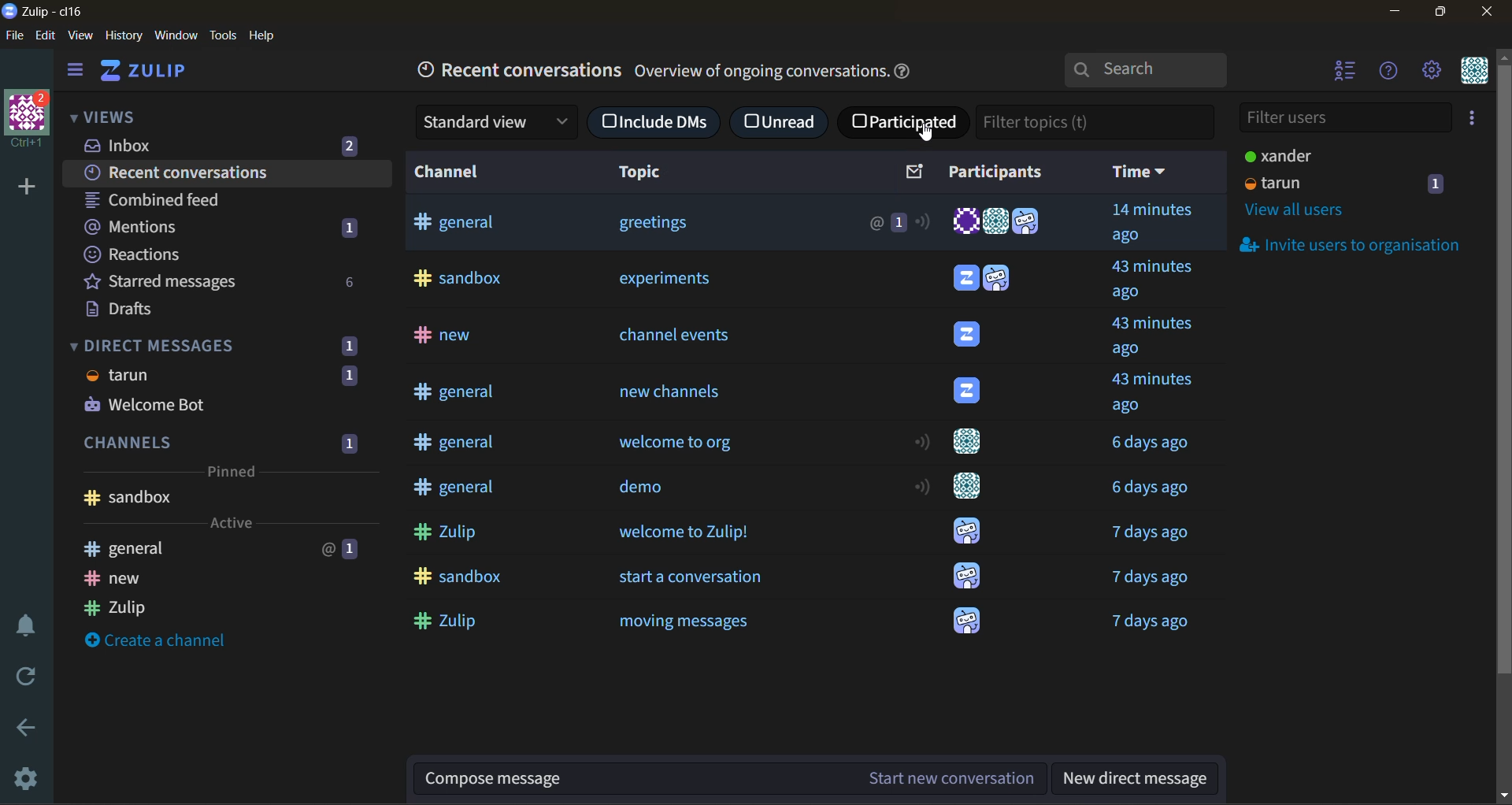 This screenshot has width=1512, height=805. I want to click on help, so click(902, 72).